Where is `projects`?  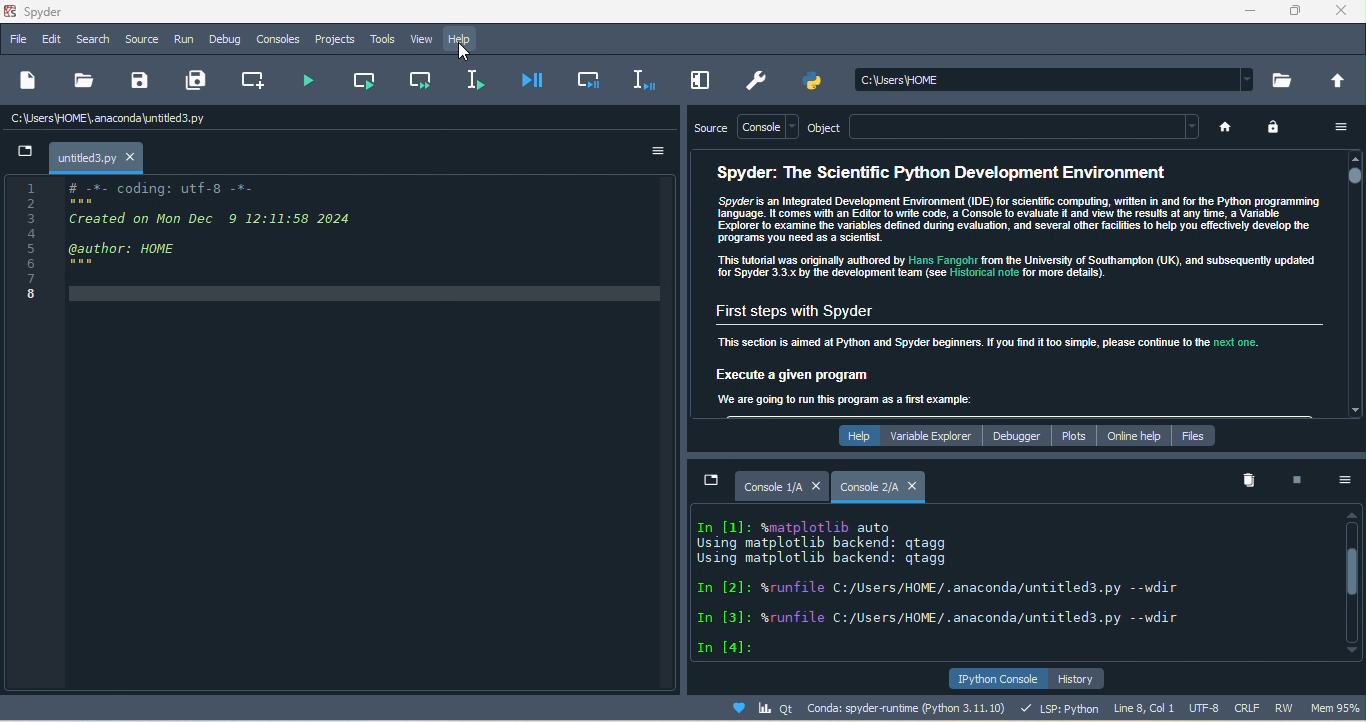 projects is located at coordinates (338, 39).